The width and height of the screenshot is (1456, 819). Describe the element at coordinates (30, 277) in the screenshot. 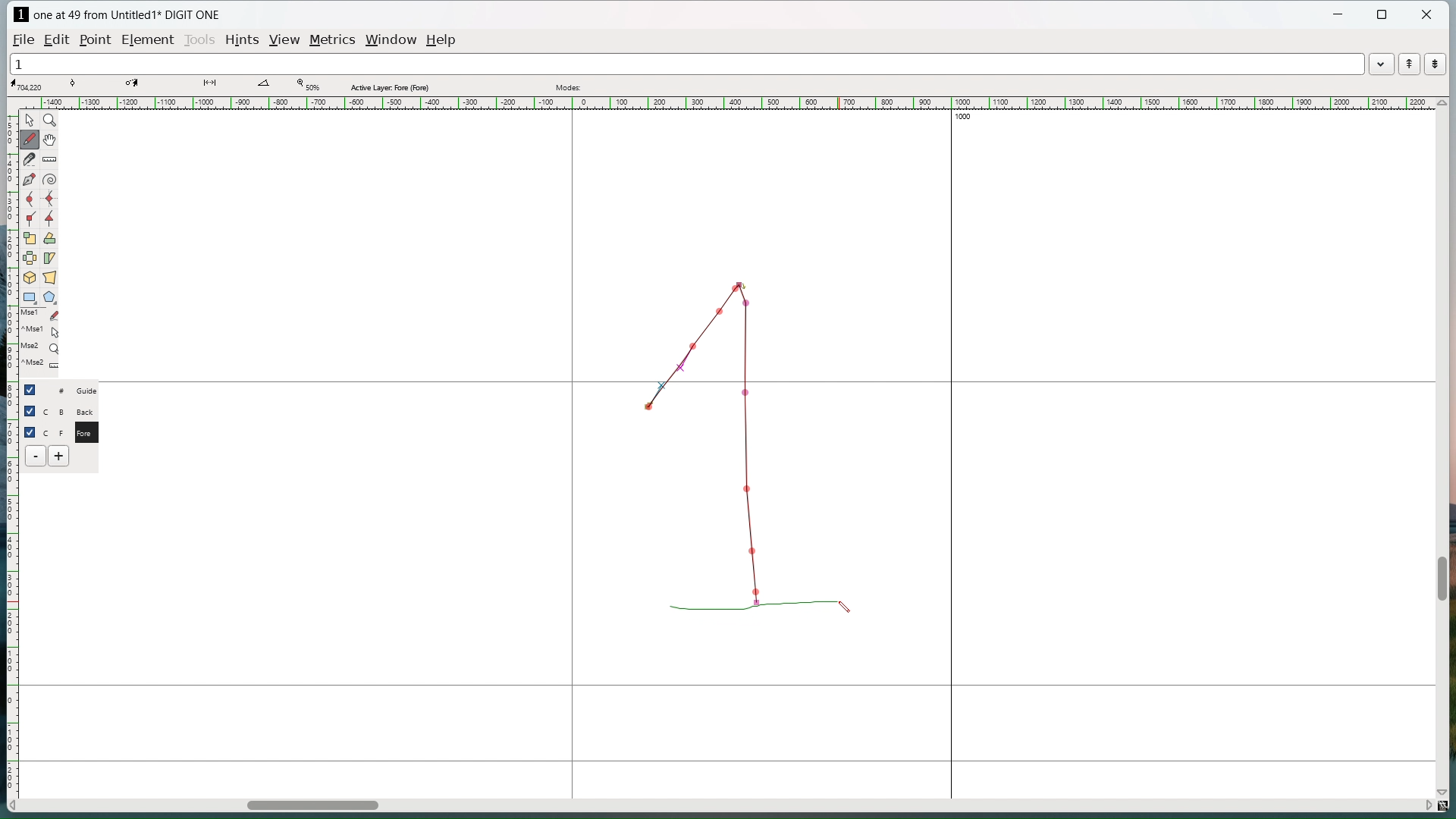

I see `rotate selection in 3d and project back to the place` at that location.